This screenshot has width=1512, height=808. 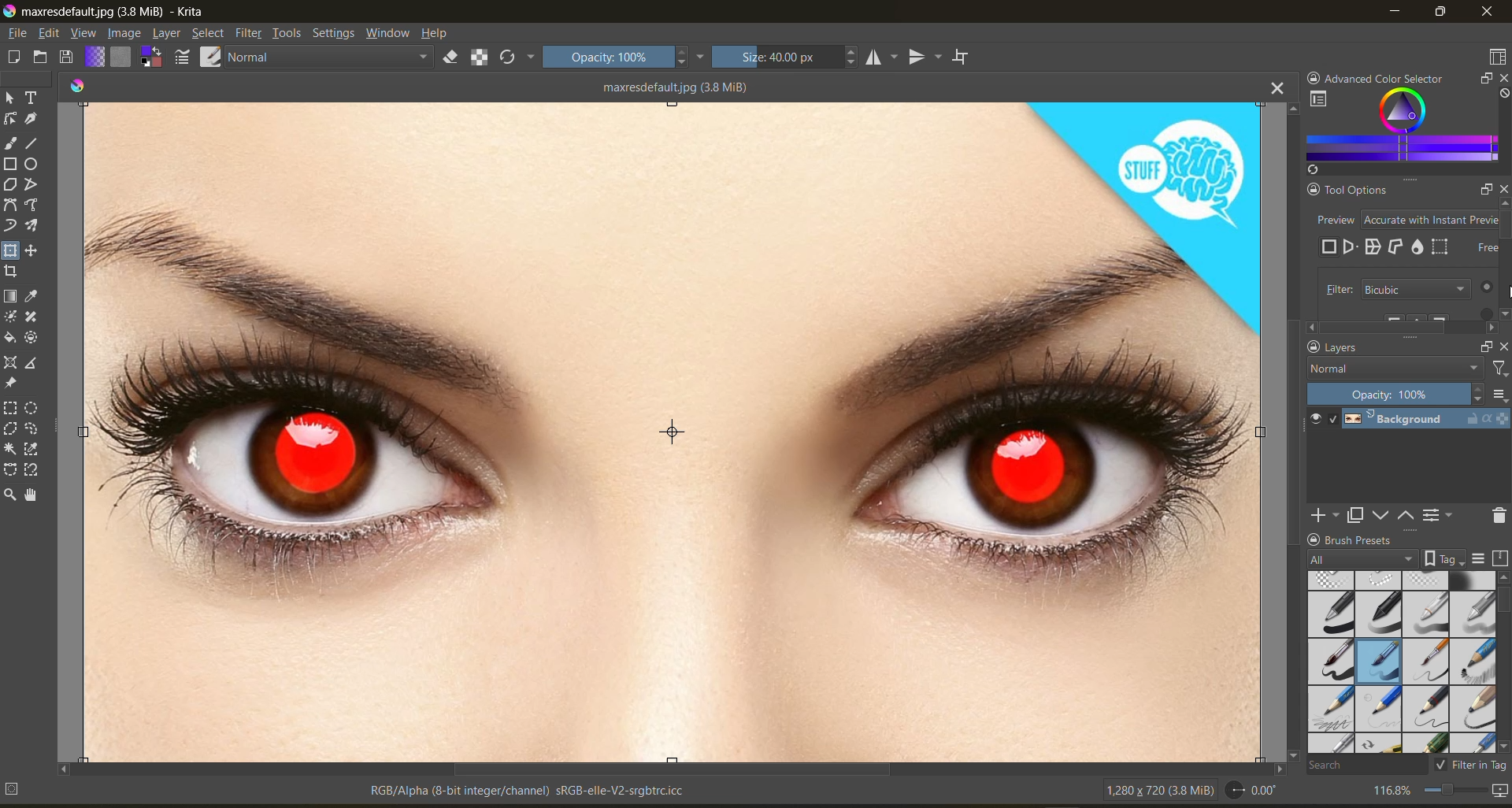 I want to click on Tool Options, so click(x=1348, y=189).